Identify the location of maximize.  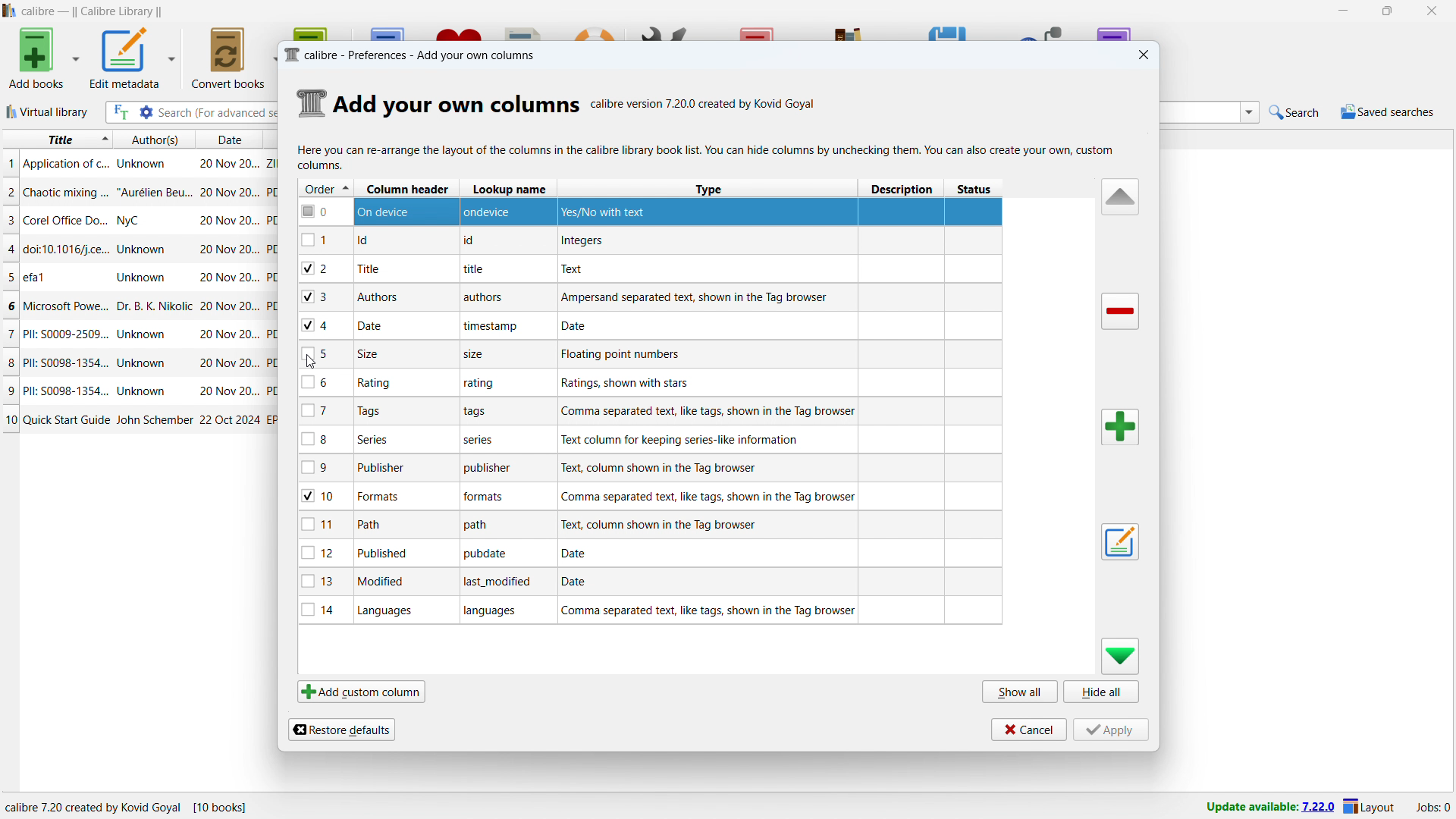
(1386, 11).